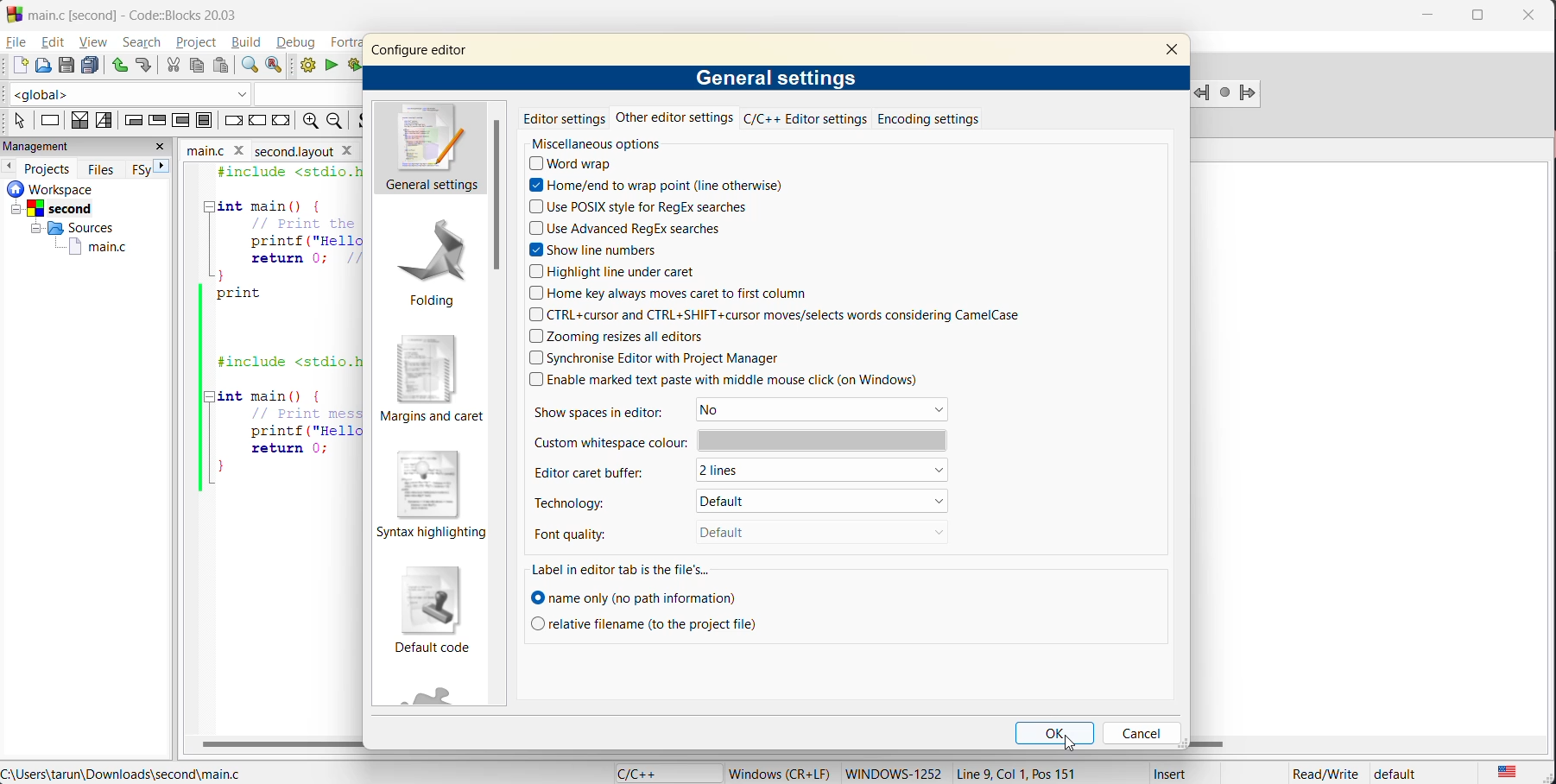  I want to click on fortran, so click(345, 42).